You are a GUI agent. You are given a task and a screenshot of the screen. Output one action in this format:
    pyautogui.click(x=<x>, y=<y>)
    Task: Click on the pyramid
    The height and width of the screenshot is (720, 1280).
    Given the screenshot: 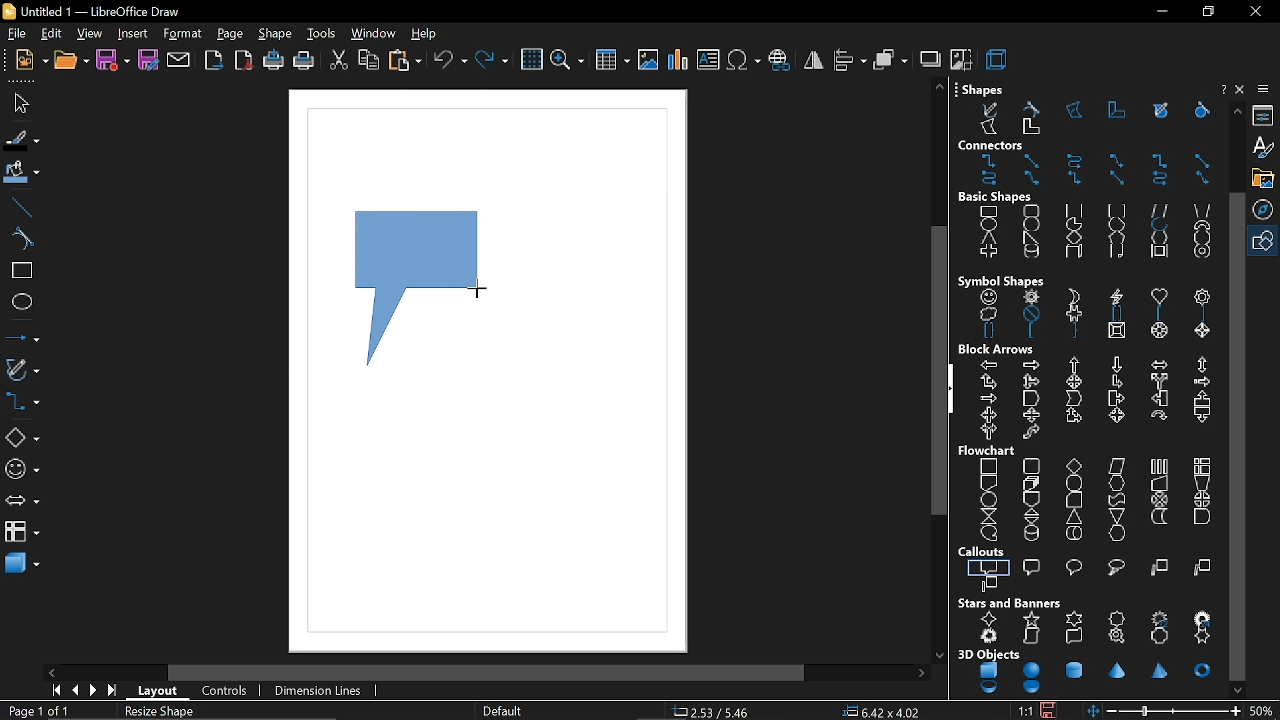 What is the action you would take?
    pyautogui.click(x=1162, y=672)
    